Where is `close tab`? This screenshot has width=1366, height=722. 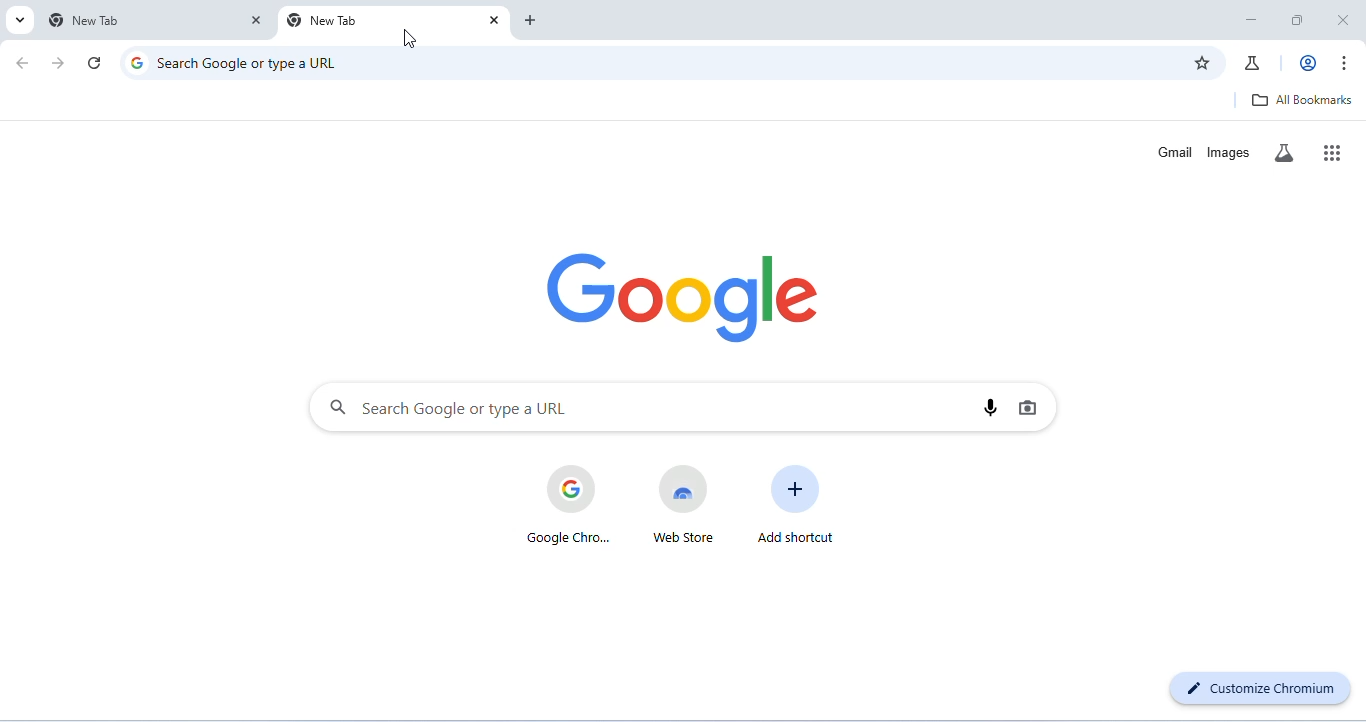
close tab is located at coordinates (492, 20).